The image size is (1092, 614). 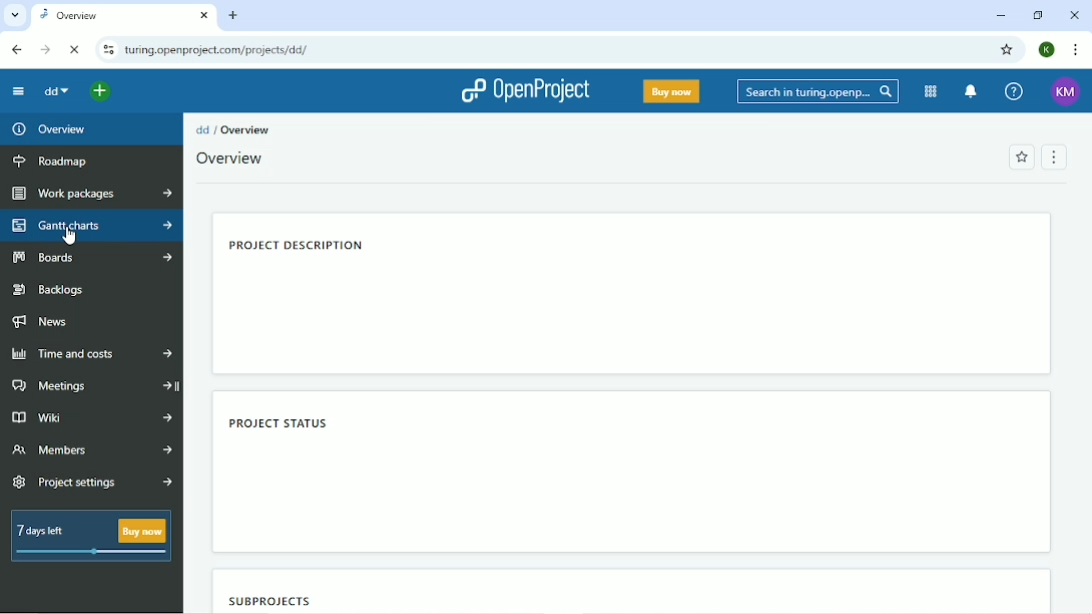 What do you see at coordinates (46, 49) in the screenshot?
I see `Forward` at bounding box center [46, 49].